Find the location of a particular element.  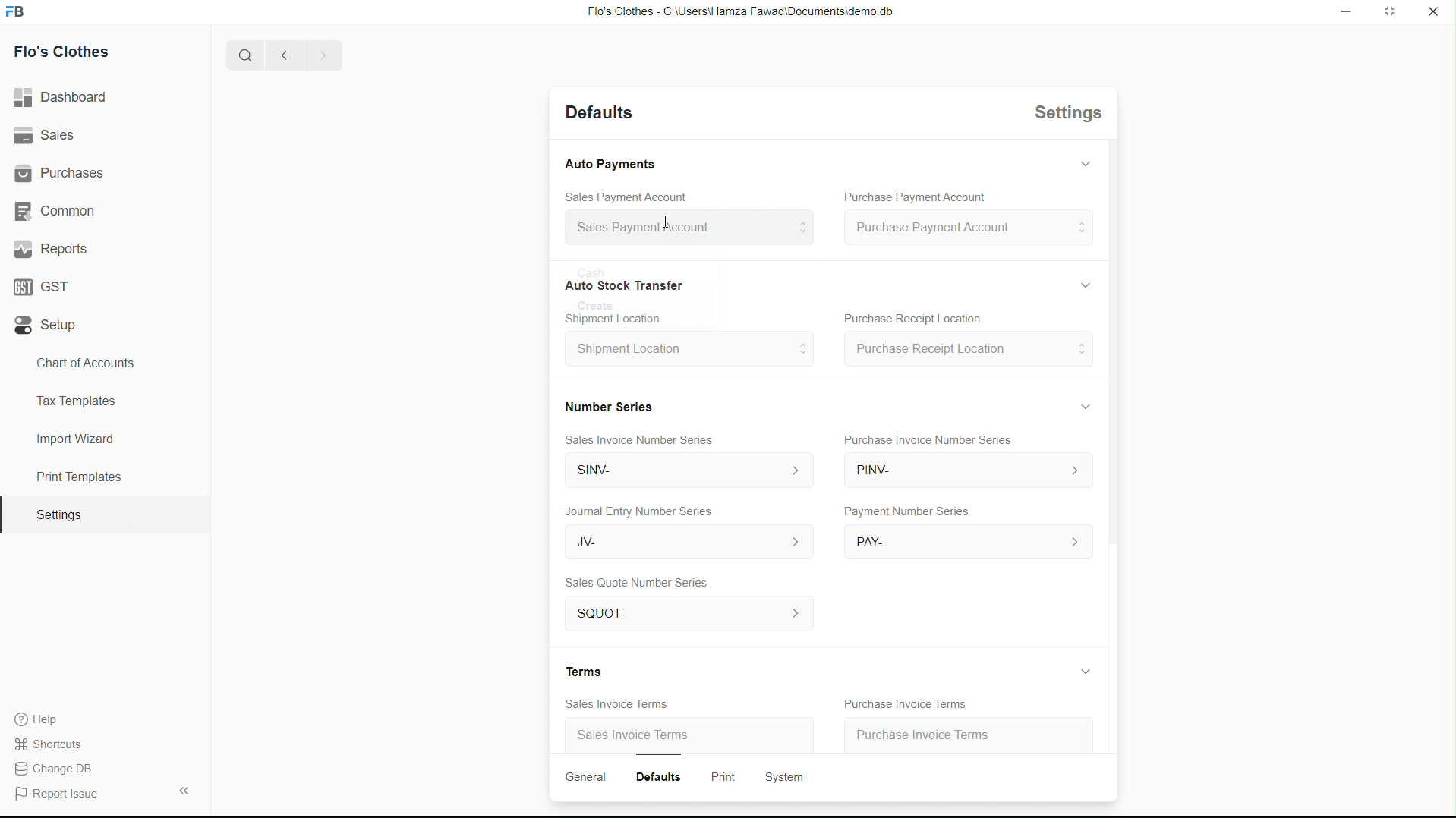

Number Series is located at coordinates (604, 406).